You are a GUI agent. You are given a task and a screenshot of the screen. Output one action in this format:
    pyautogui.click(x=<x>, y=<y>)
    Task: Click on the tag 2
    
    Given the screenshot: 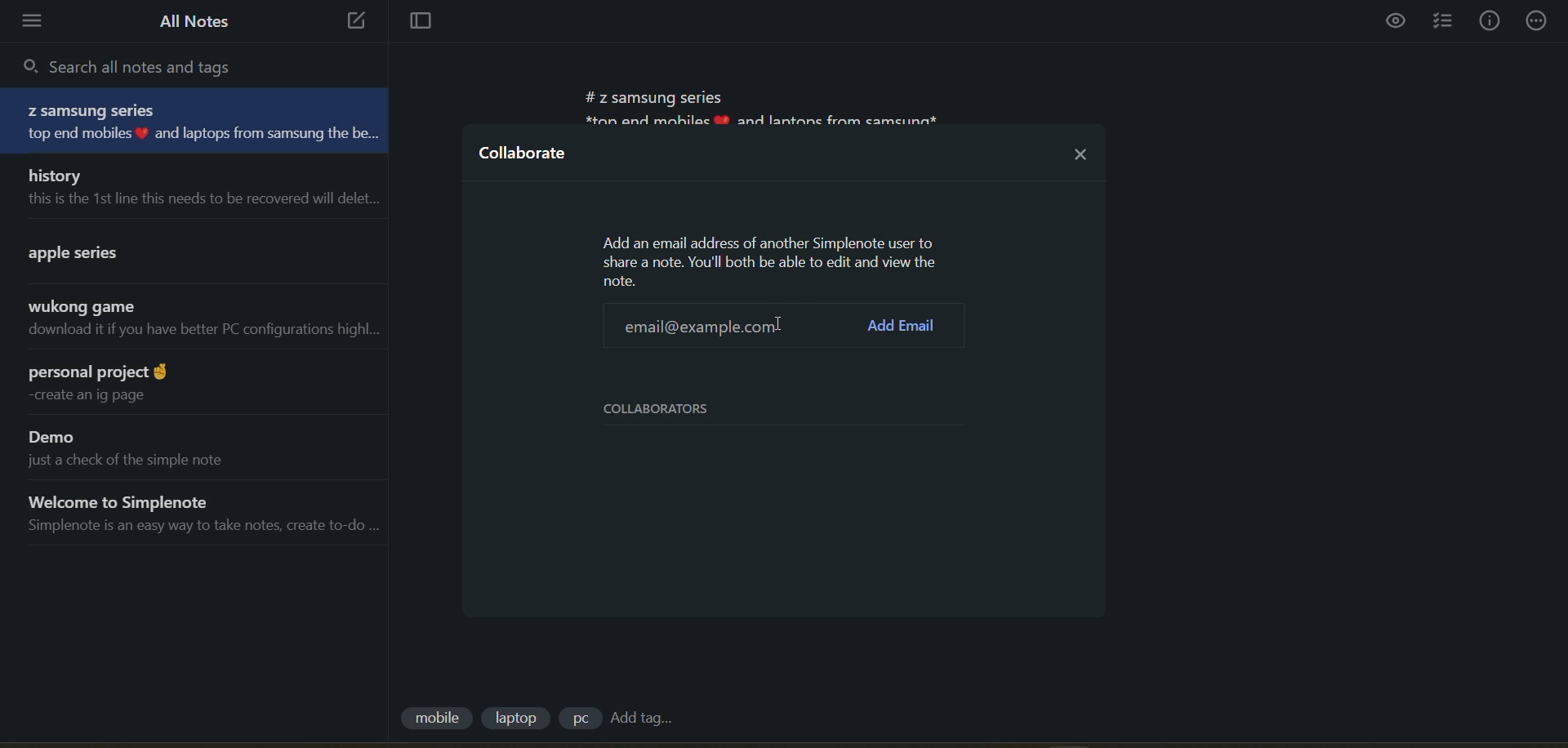 What is the action you would take?
    pyautogui.click(x=519, y=718)
    